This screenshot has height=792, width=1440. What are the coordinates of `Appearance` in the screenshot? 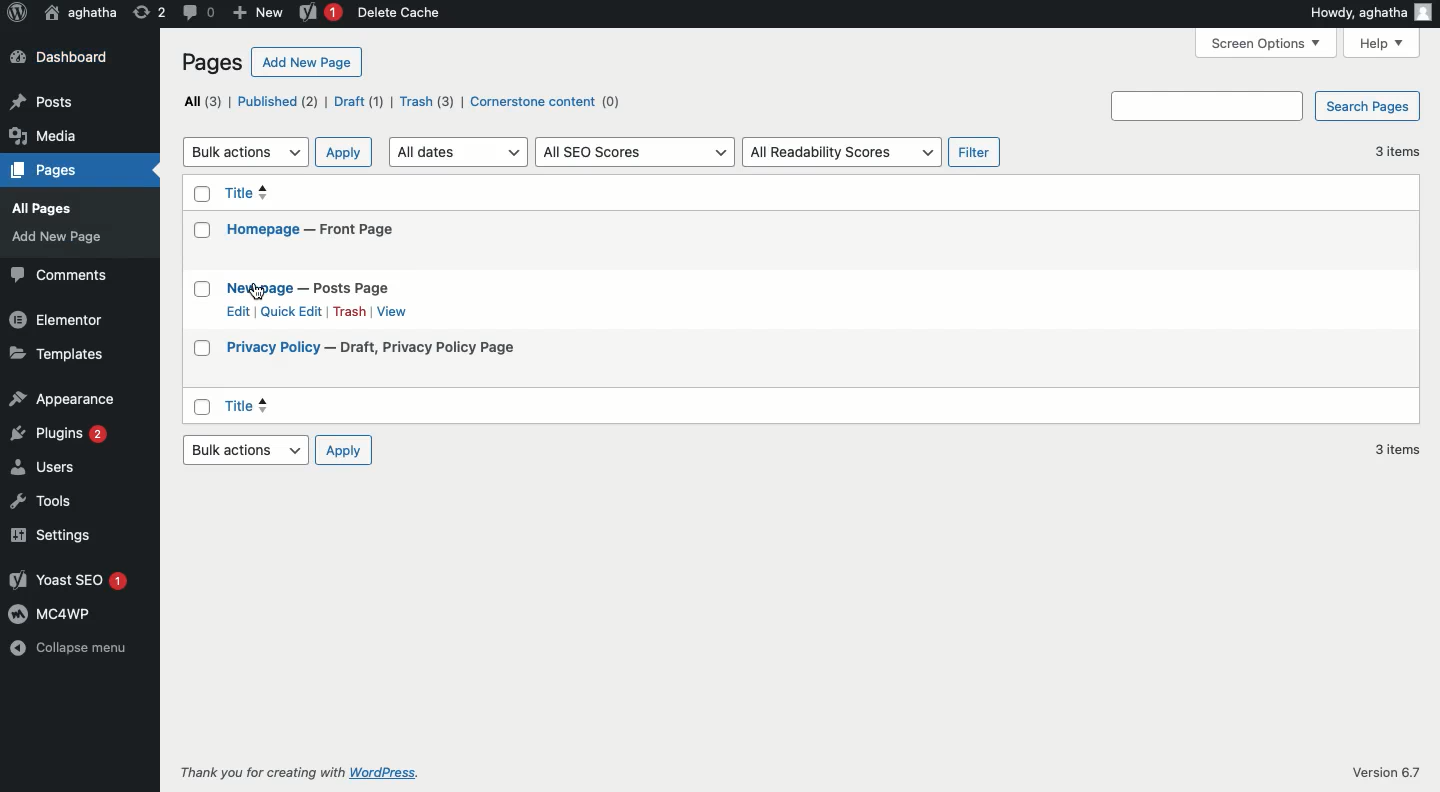 It's located at (63, 398).